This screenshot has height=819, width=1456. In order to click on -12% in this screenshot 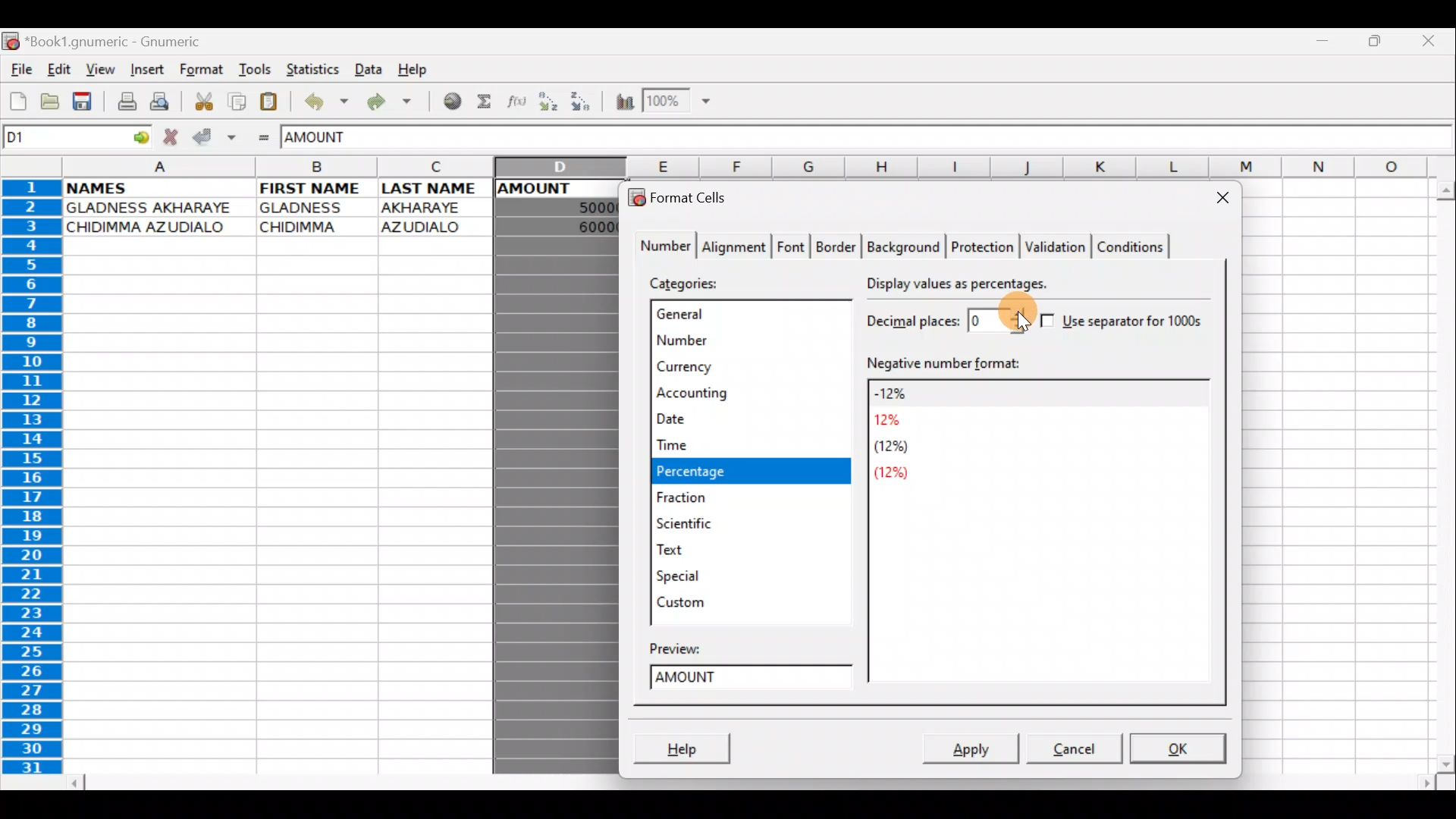, I will do `click(900, 392)`.